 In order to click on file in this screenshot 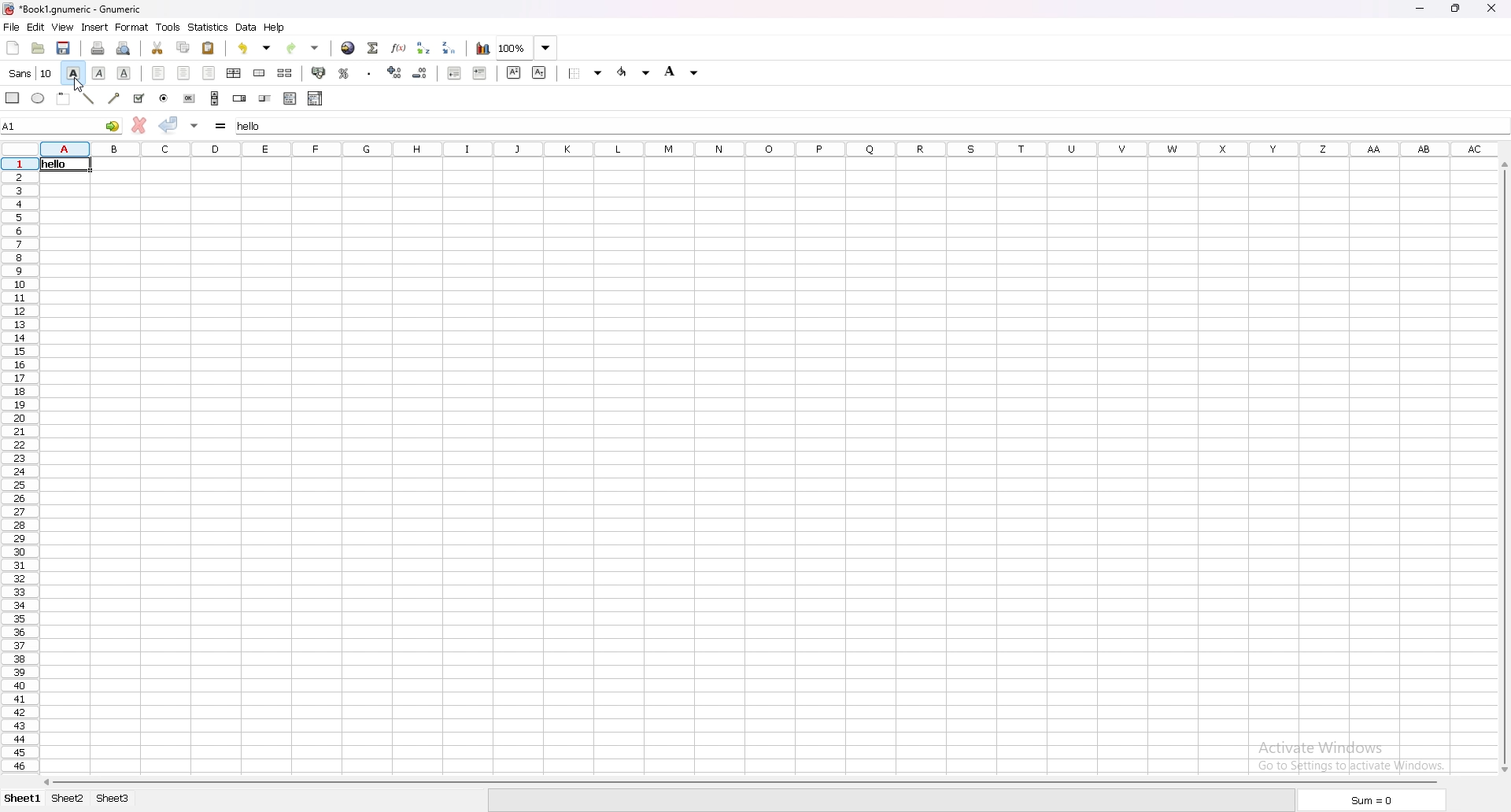, I will do `click(12, 27)`.